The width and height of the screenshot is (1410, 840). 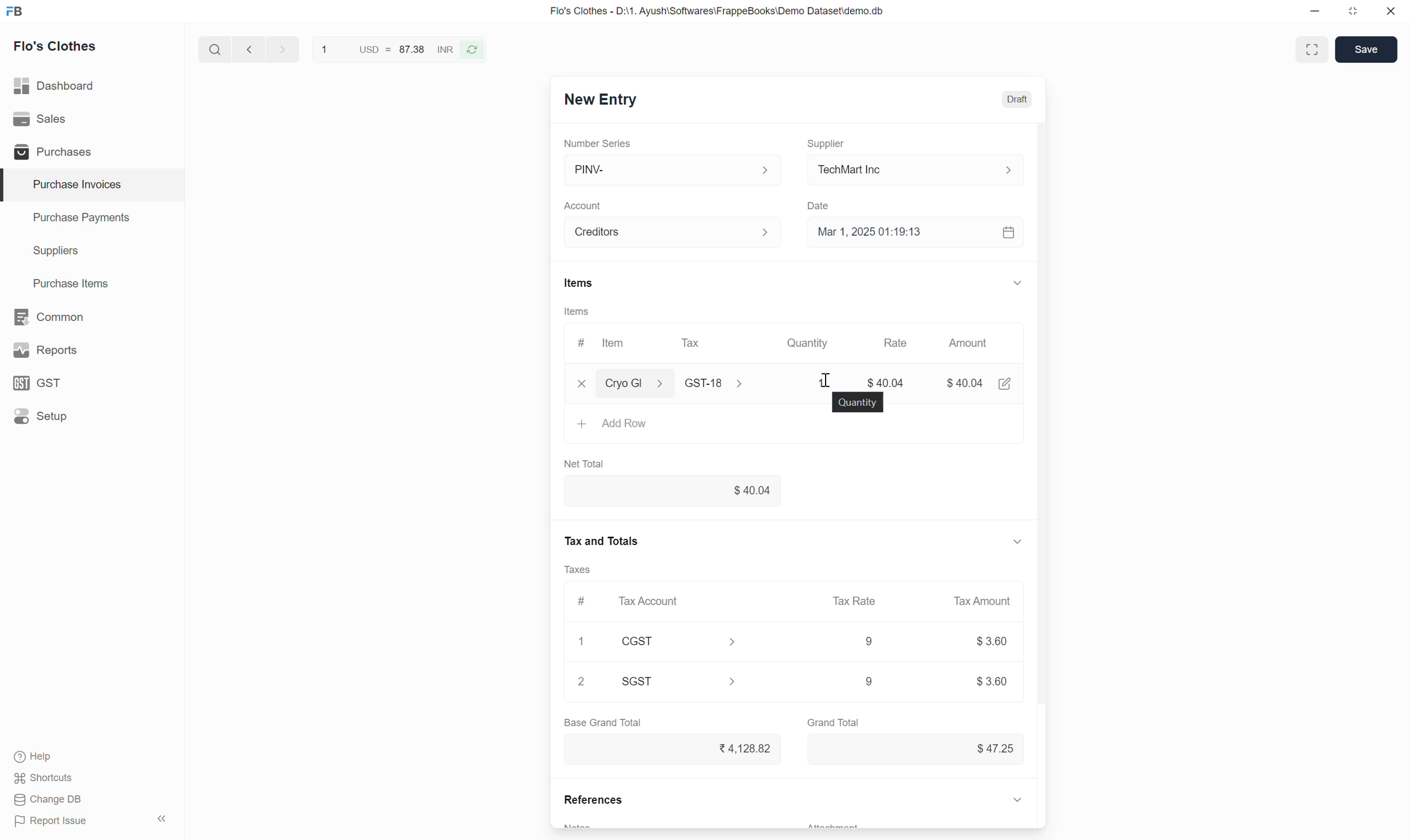 What do you see at coordinates (716, 11) in the screenshot?
I see `Flo's Clothes - D:\1. Ayush\Softwares\FrappeBooks\Demo Dataset\demo.db` at bounding box center [716, 11].